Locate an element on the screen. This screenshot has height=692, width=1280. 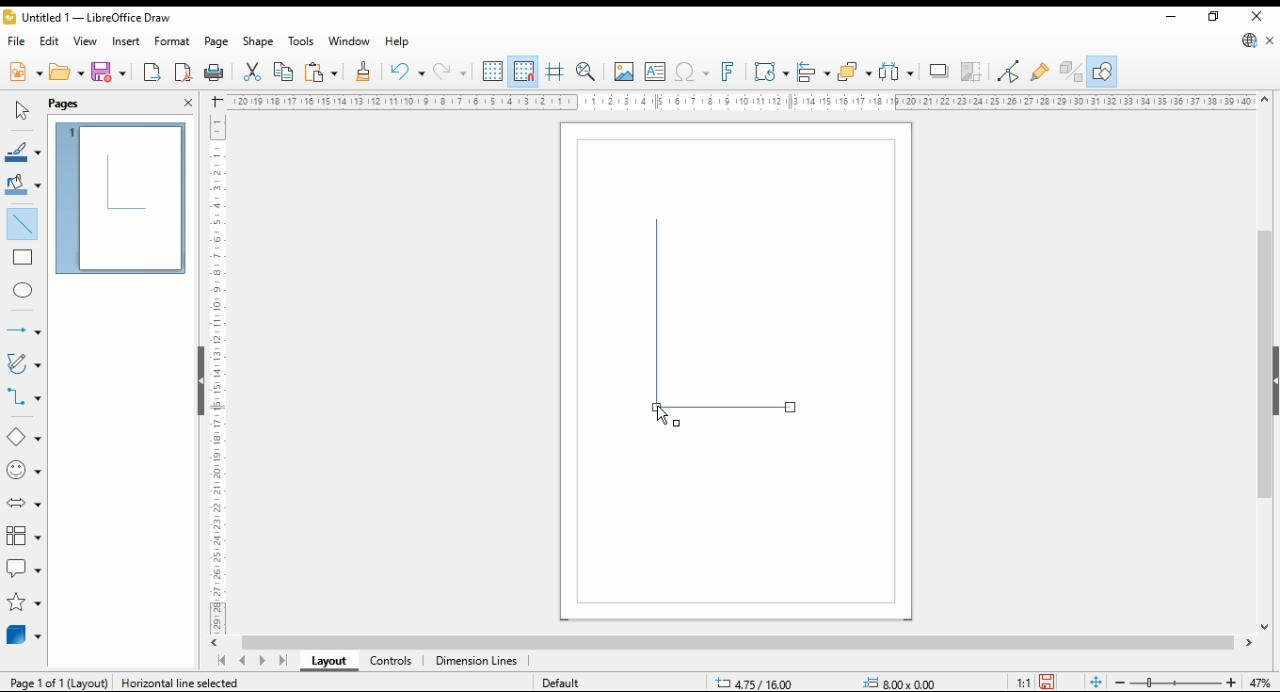
redo is located at coordinates (450, 73).